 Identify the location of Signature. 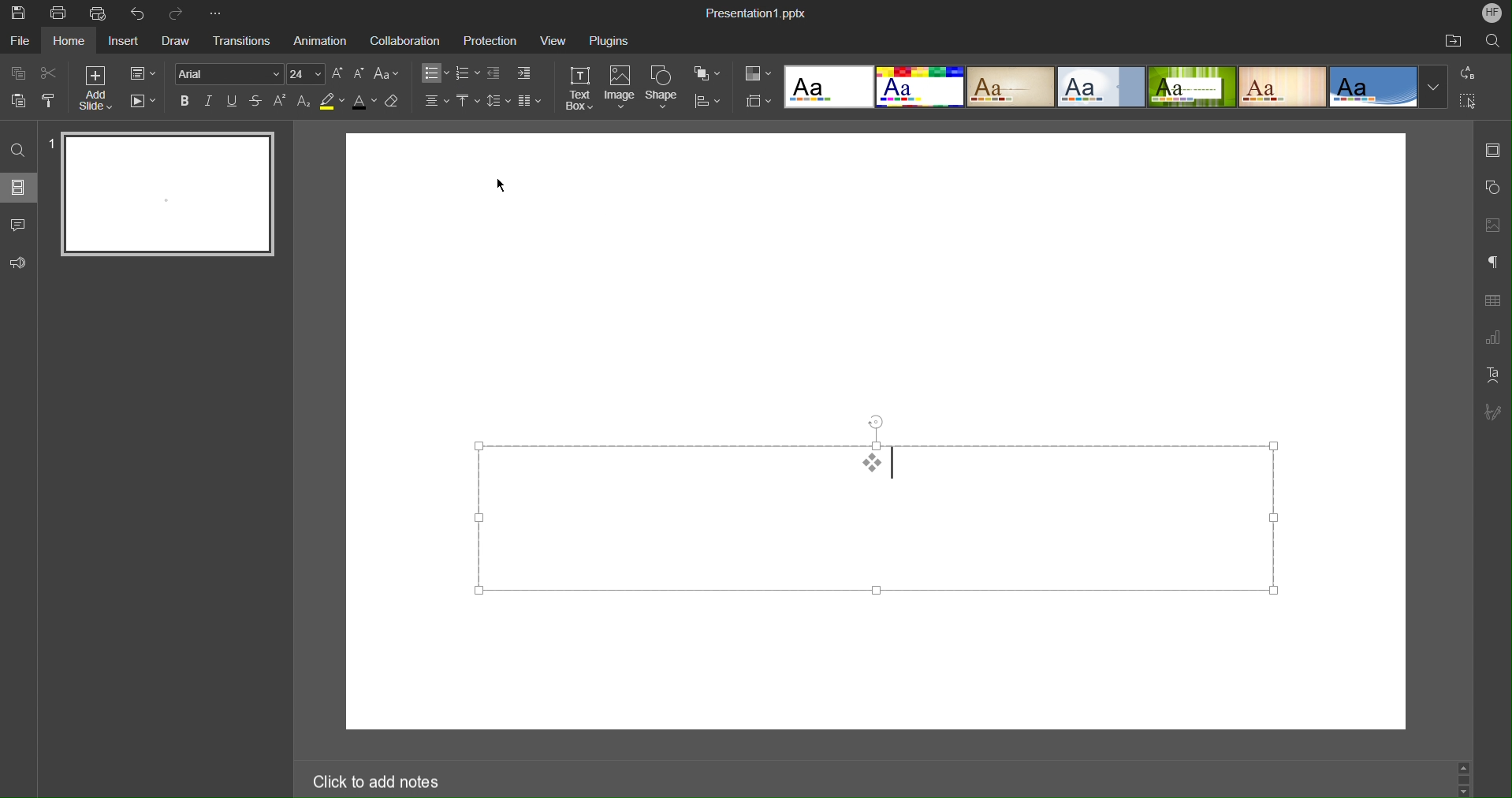
(1492, 412).